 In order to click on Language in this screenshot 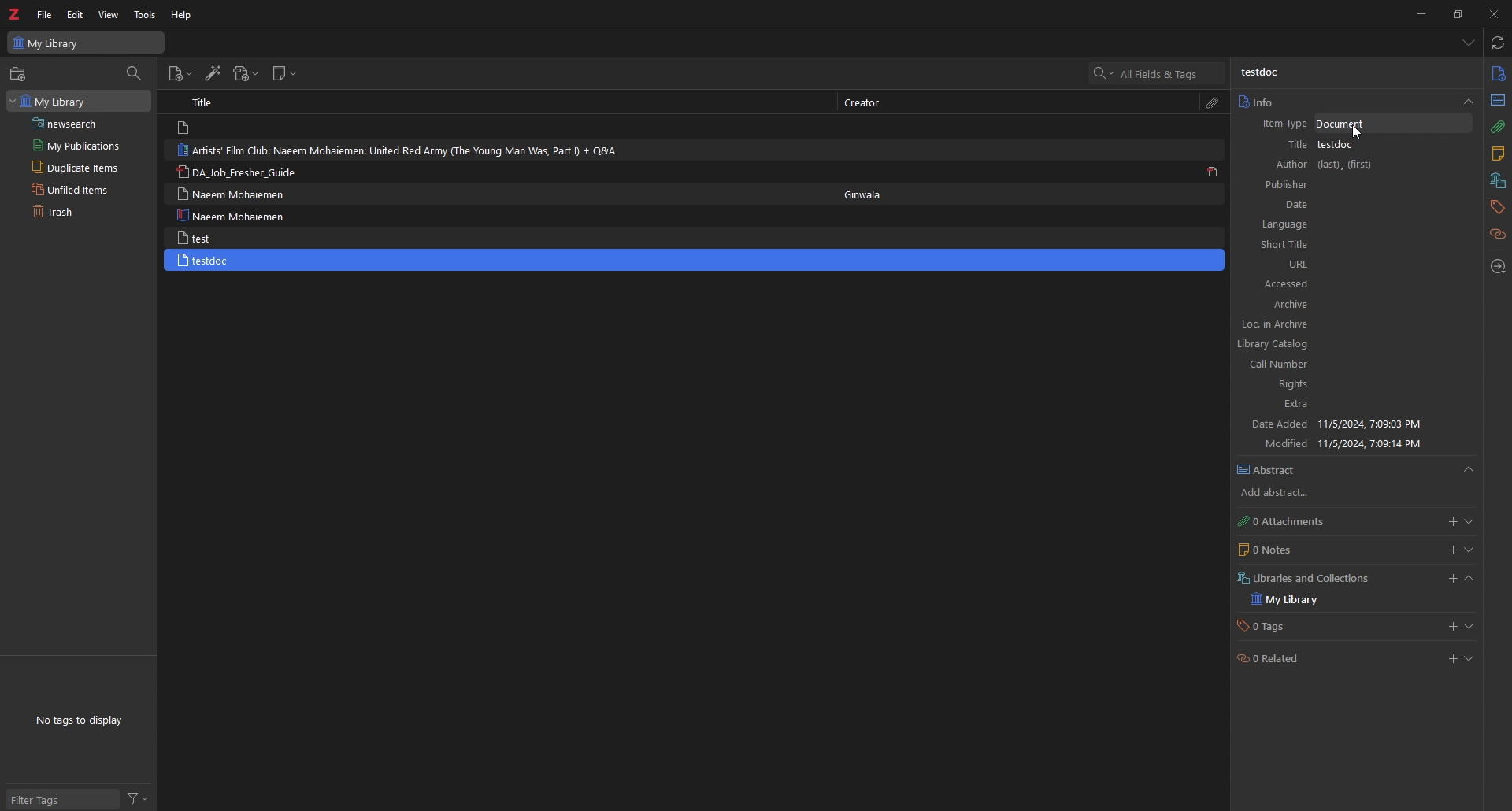, I will do `click(1352, 225)`.